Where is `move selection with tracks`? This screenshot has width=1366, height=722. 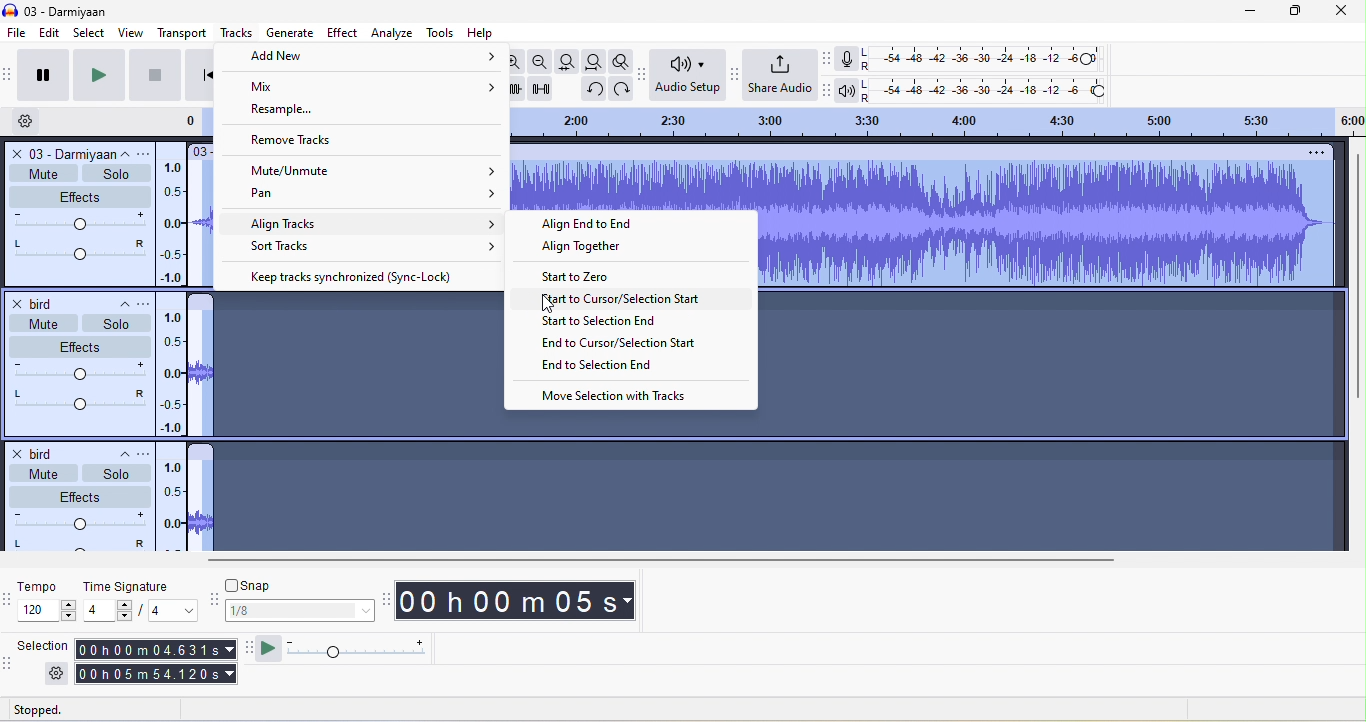 move selection with tracks is located at coordinates (620, 396).